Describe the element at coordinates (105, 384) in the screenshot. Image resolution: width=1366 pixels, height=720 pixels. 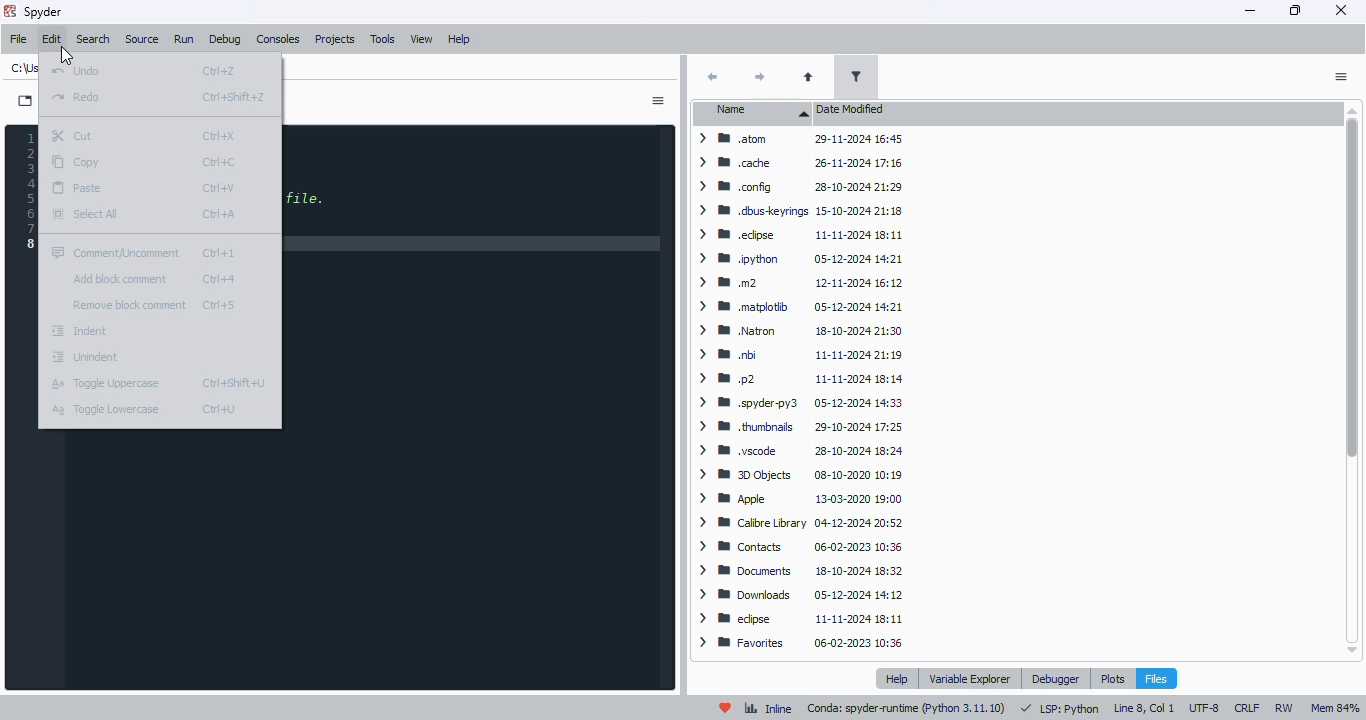
I see `toggle uppercase` at that location.